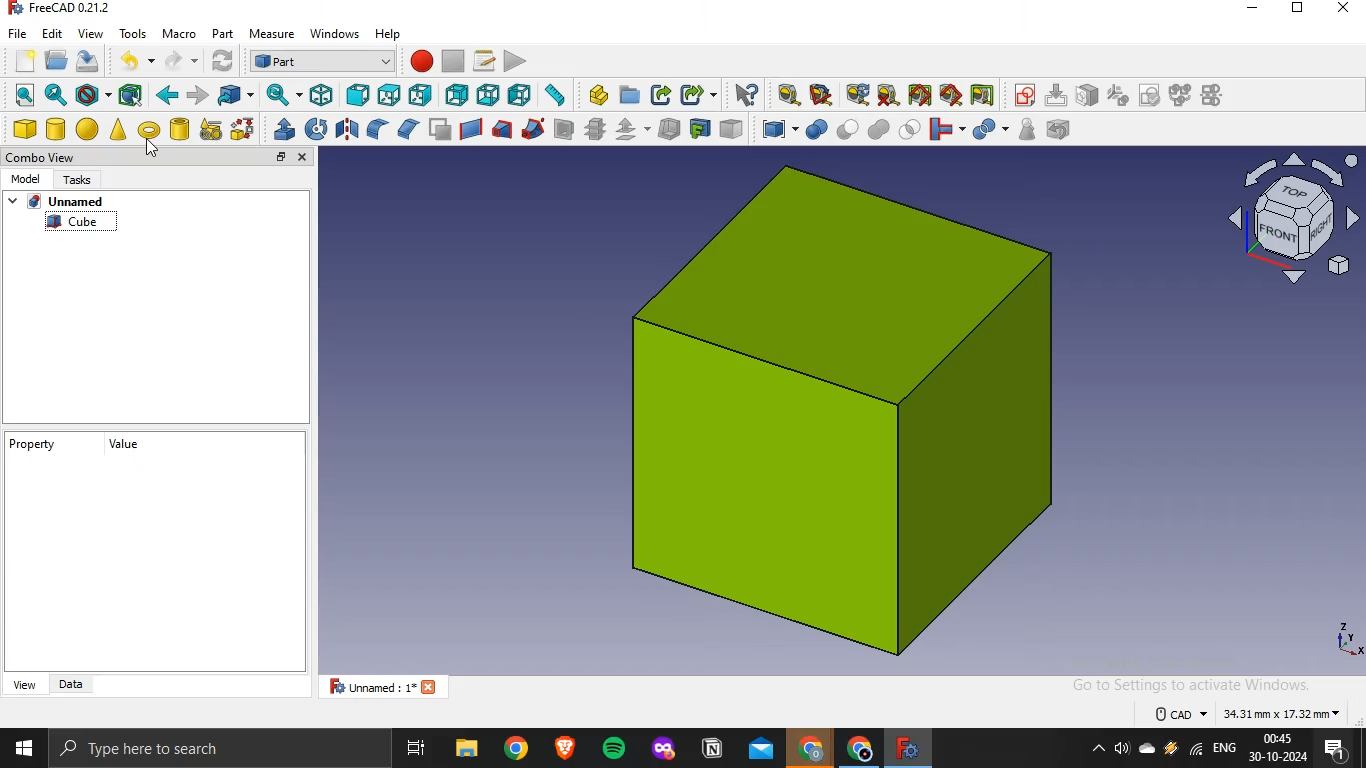 Image resolution: width=1366 pixels, height=768 pixels. I want to click on dimensions, so click(1256, 711).